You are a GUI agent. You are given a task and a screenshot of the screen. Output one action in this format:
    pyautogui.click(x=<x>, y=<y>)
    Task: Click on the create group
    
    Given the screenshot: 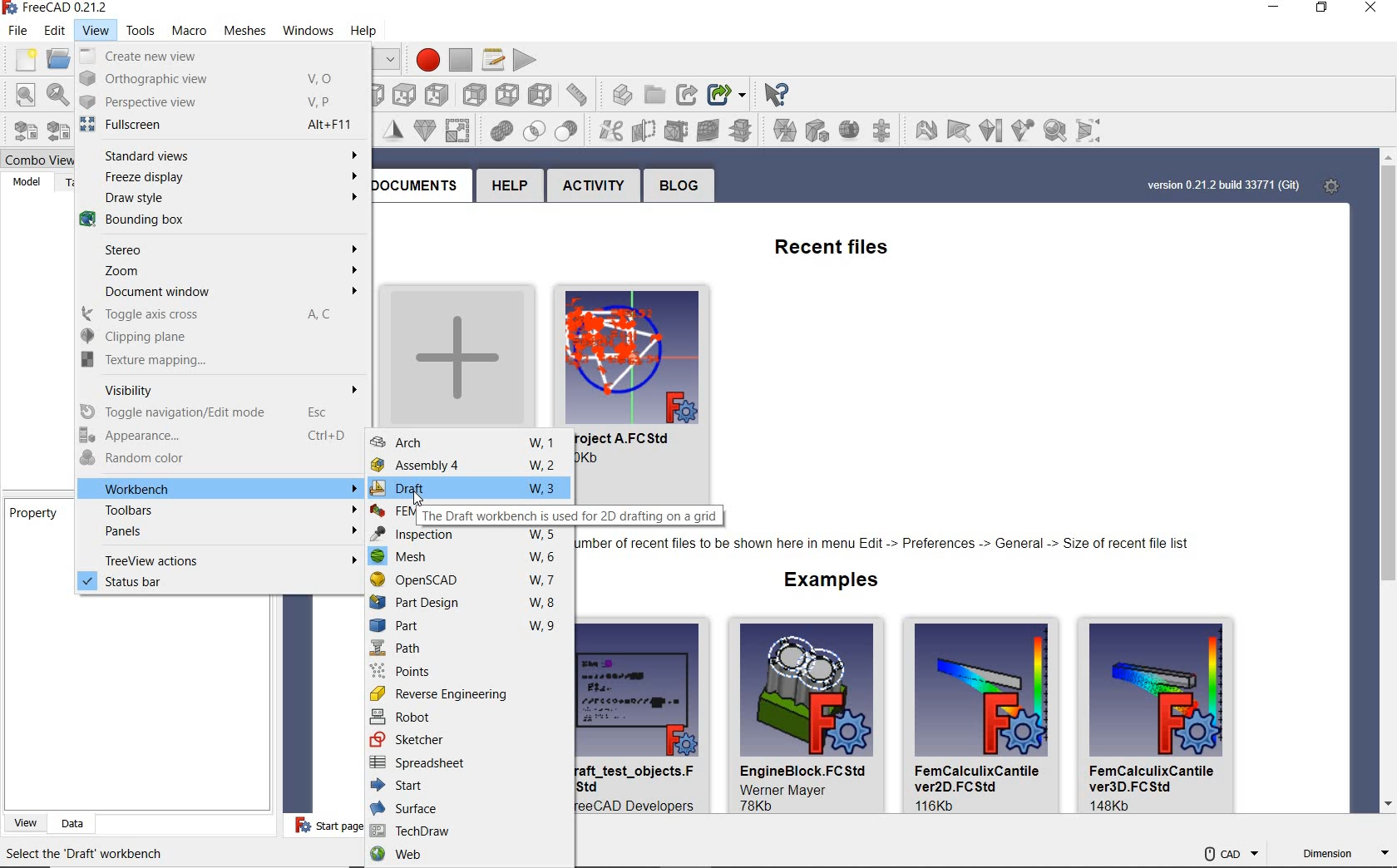 What is the action you would take?
    pyautogui.click(x=628, y=94)
    